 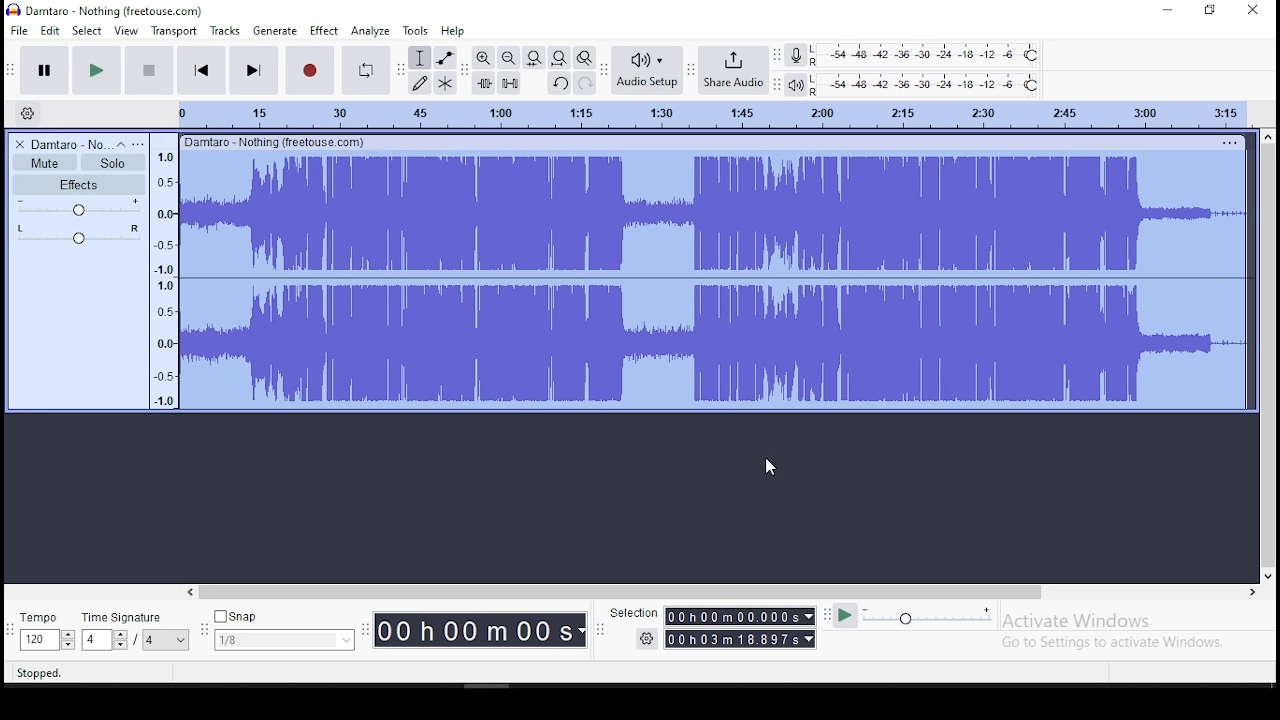 What do you see at coordinates (77, 208) in the screenshot?
I see `volume` at bounding box center [77, 208].